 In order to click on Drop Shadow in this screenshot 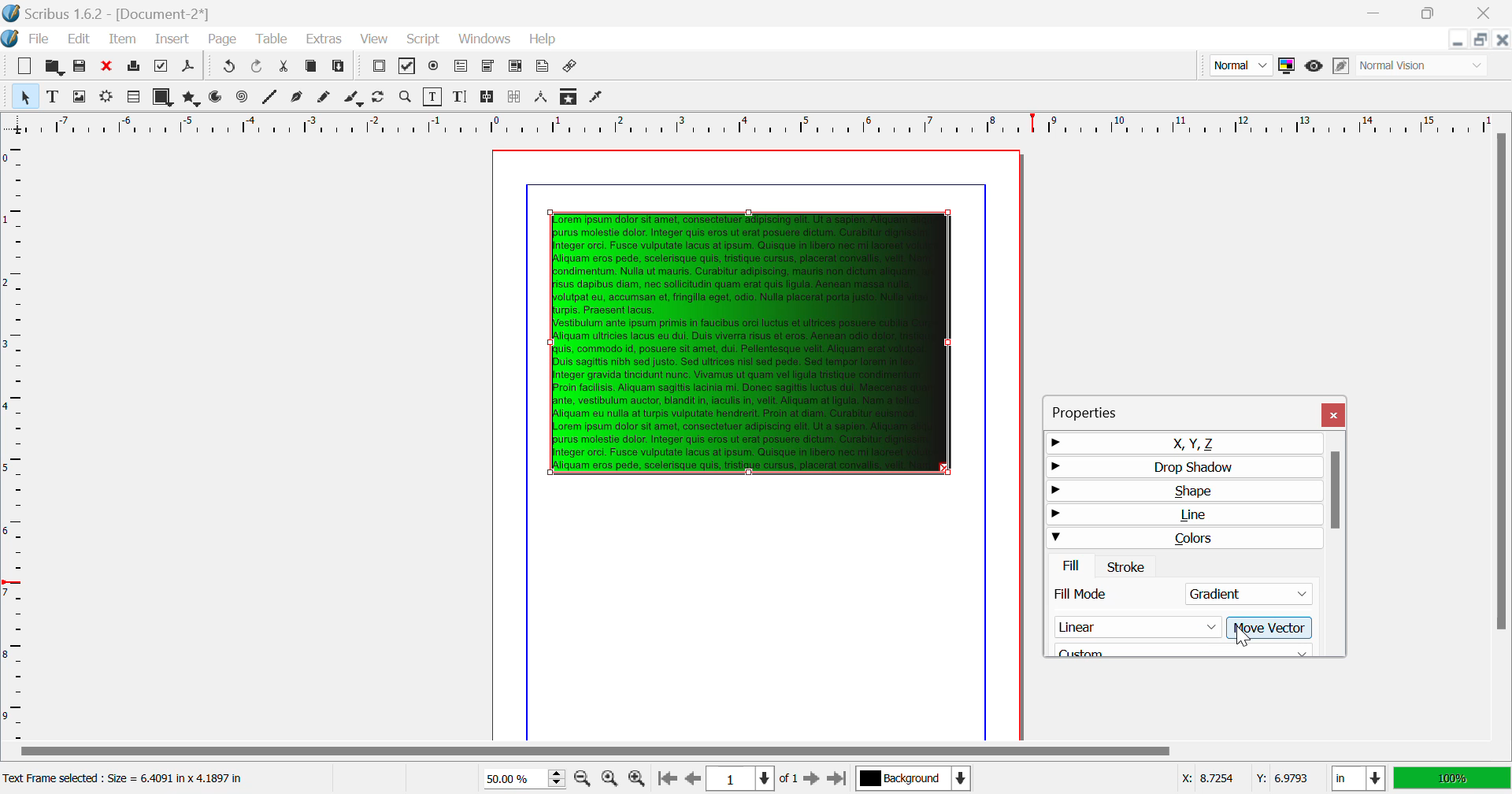, I will do `click(1181, 466)`.